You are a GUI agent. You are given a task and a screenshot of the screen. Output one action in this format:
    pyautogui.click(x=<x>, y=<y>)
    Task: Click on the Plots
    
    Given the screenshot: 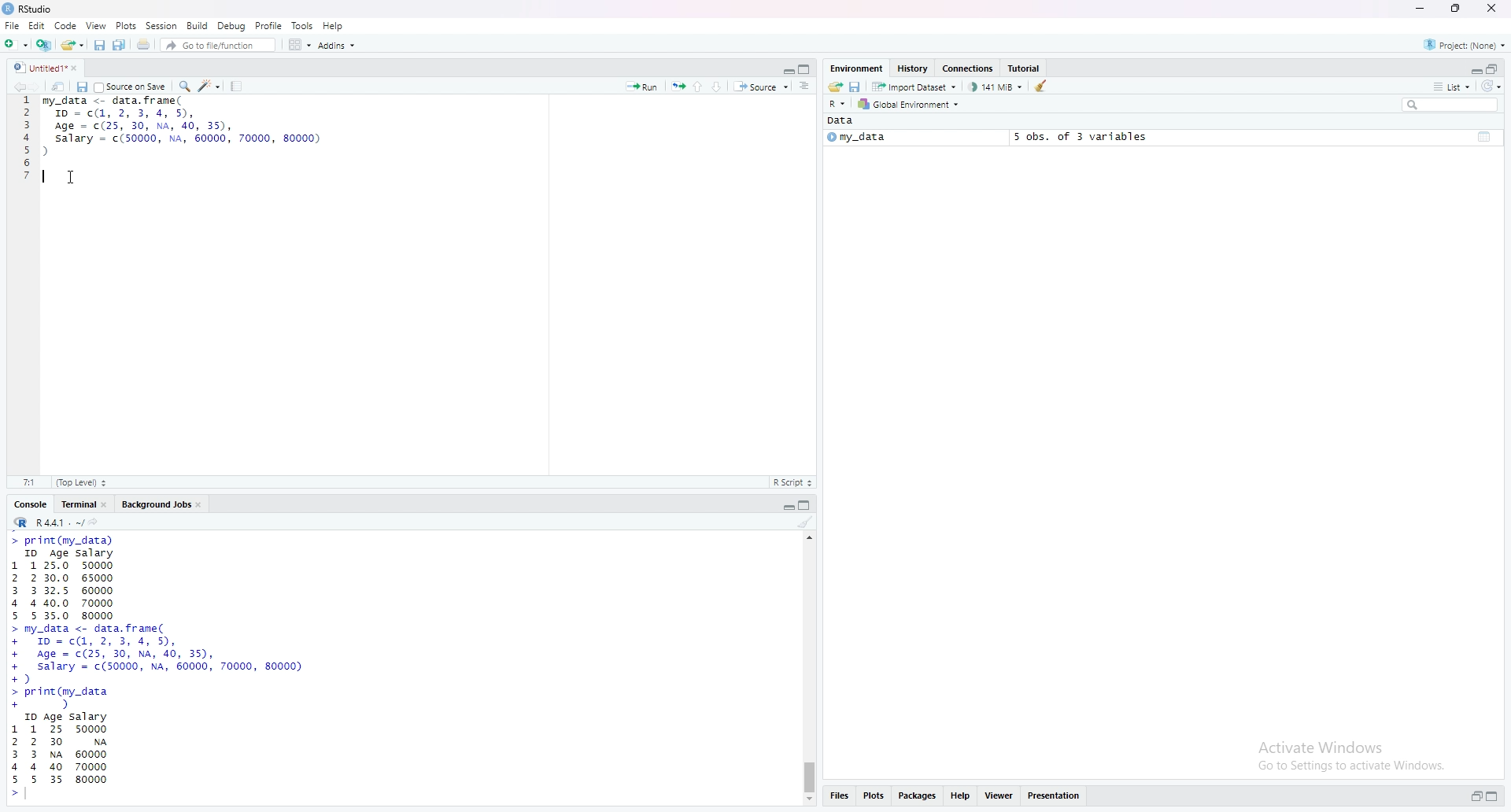 What is the action you would take?
    pyautogui.click(x=126, y=25)
    